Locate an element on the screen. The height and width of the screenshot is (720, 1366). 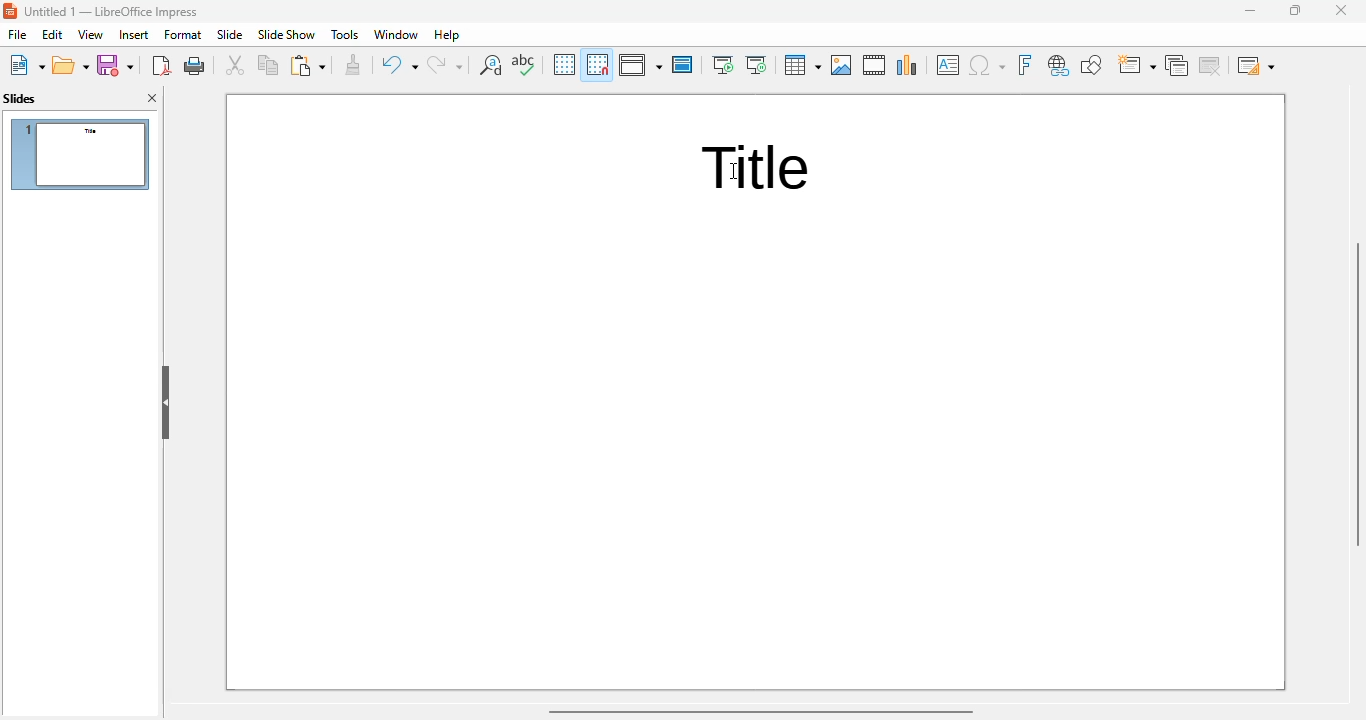
close is located at coordinates (1341, 10).